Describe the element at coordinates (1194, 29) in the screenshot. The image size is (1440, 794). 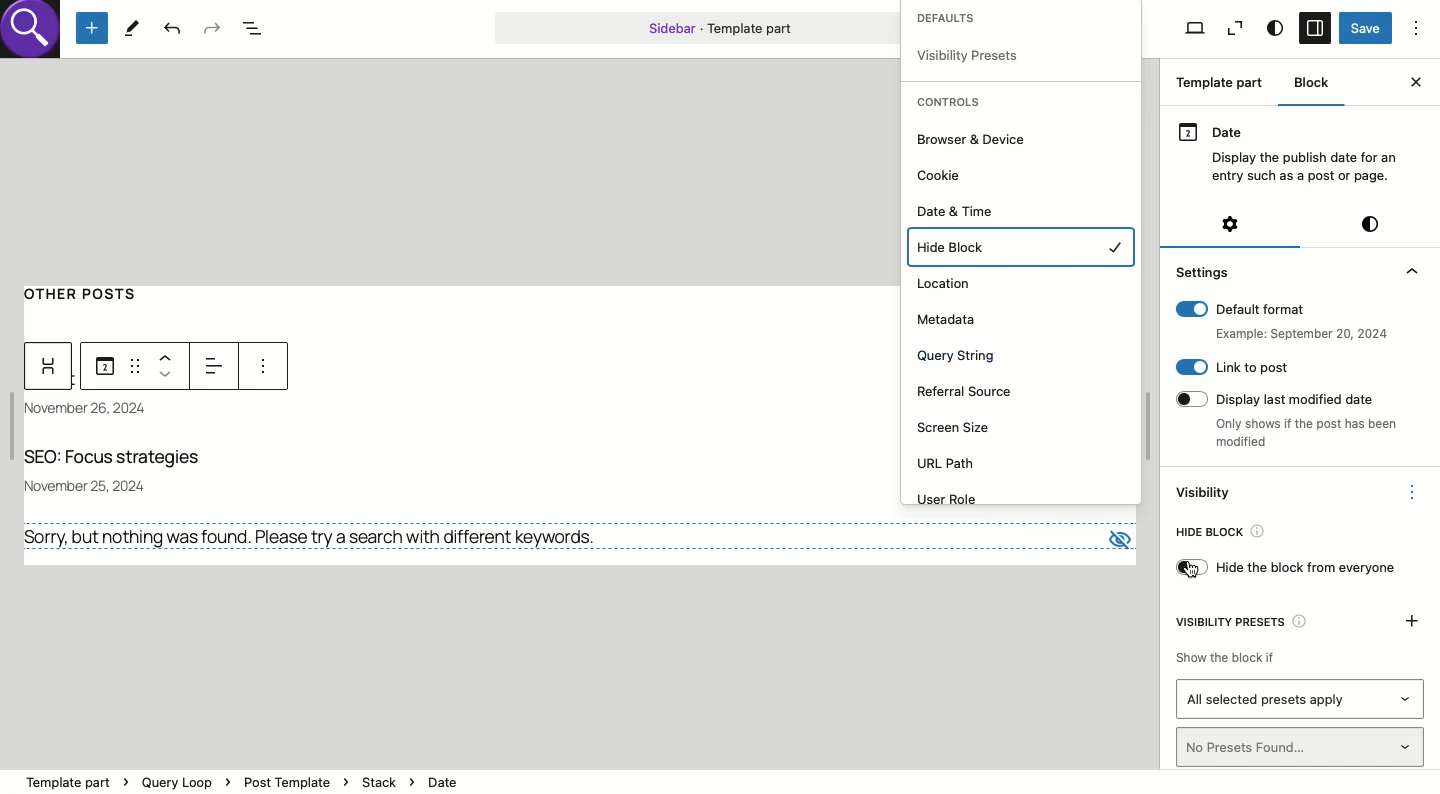
I see `View` at that location.